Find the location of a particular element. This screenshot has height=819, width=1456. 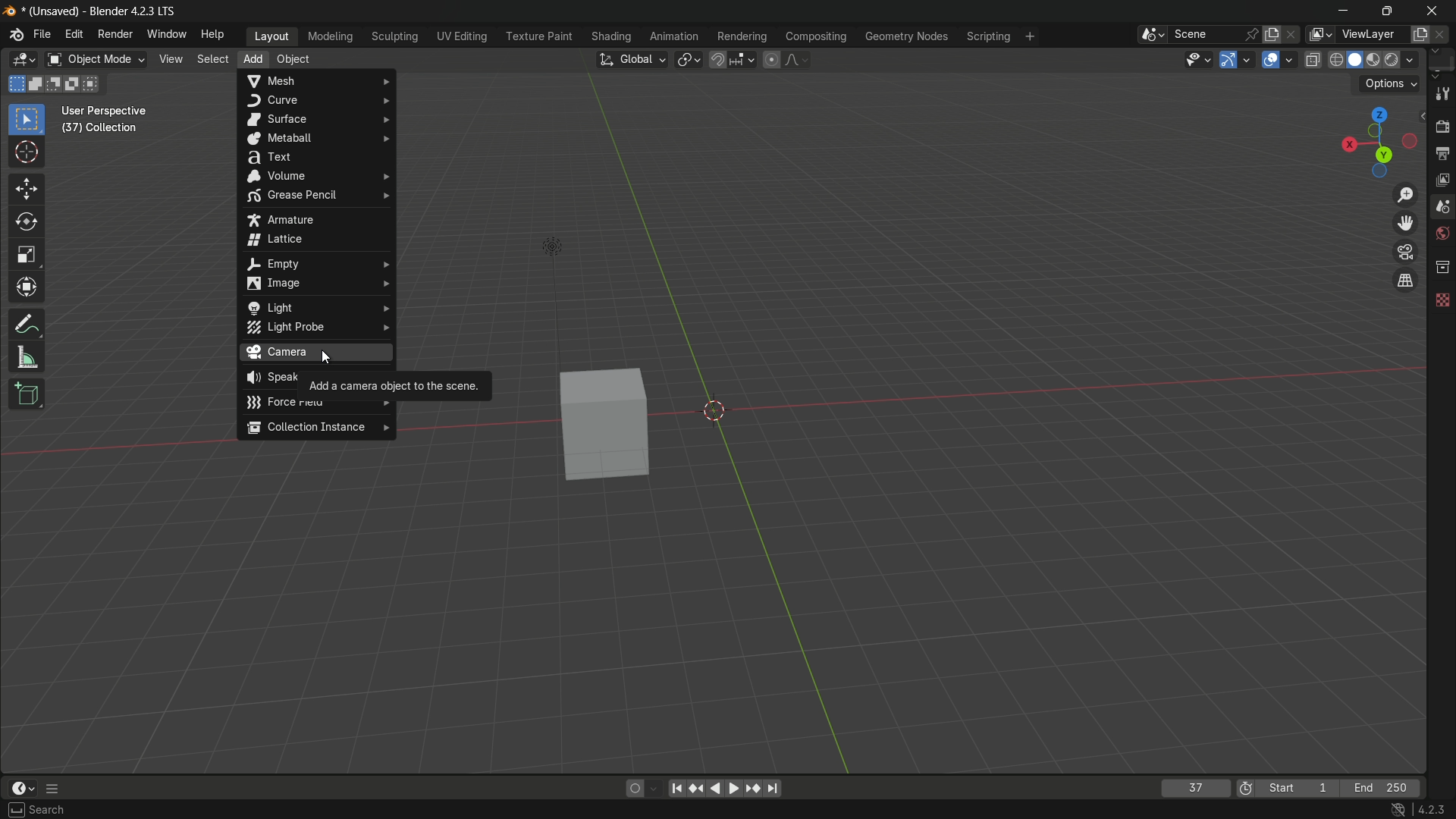

close app is located at coordinates (1434, 10).